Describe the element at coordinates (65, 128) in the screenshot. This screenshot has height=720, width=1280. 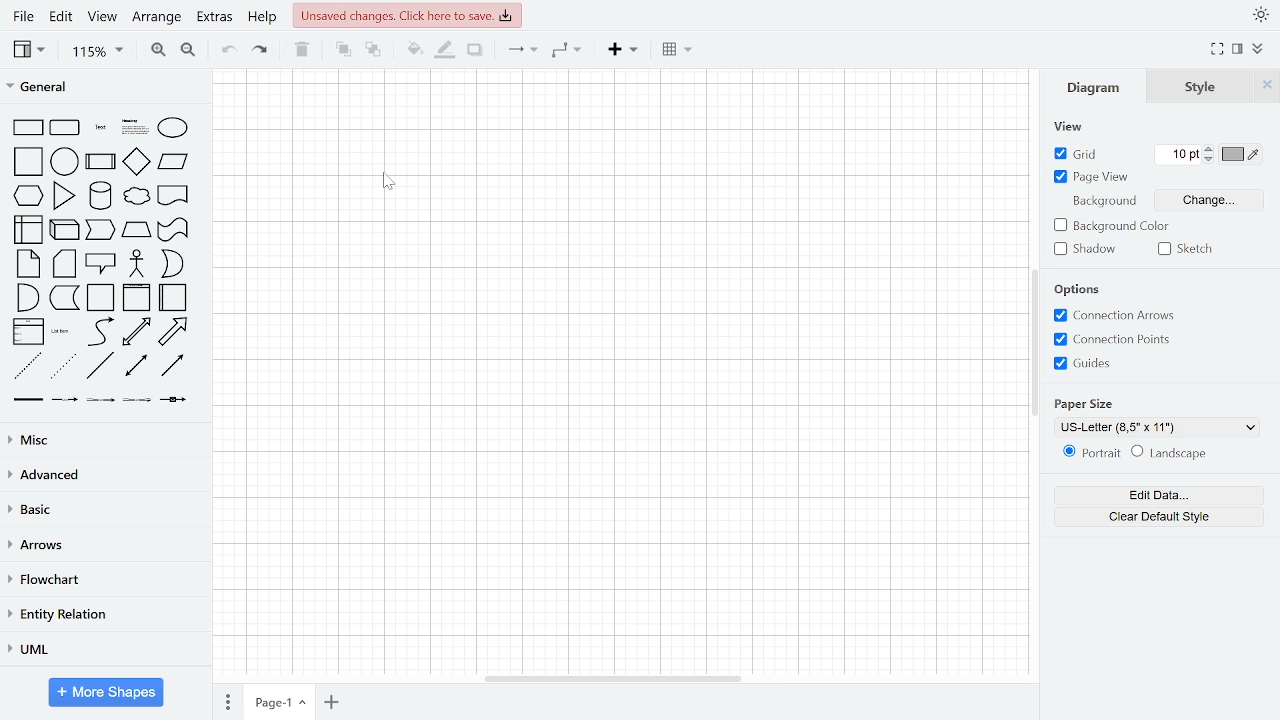
I see `rounded rectangle` at that location.